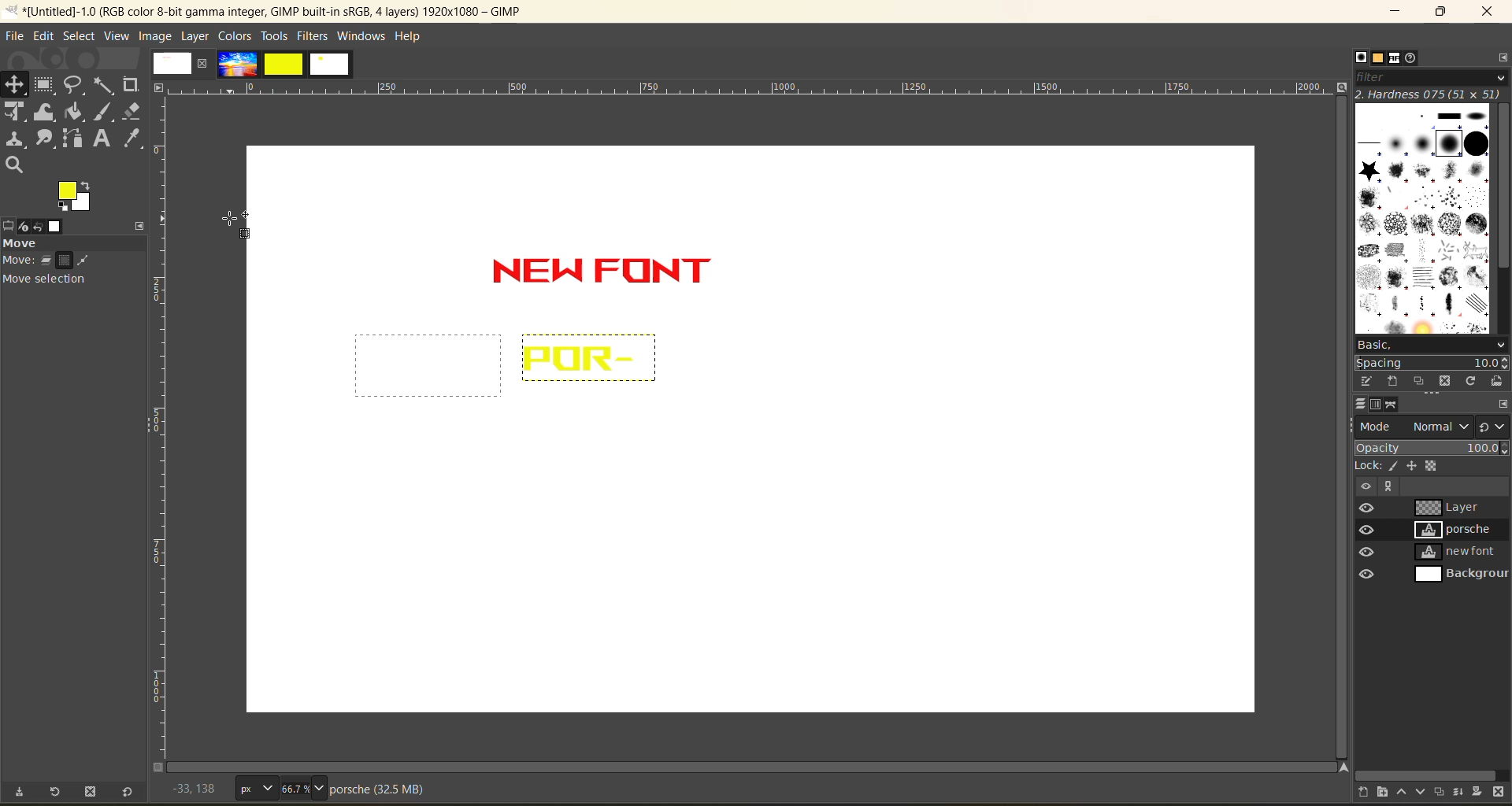 This screenshot has width=1512, height=806. Describe the element at coordinates (1437, 13) in the screenshot. I see `maximize` at that location.